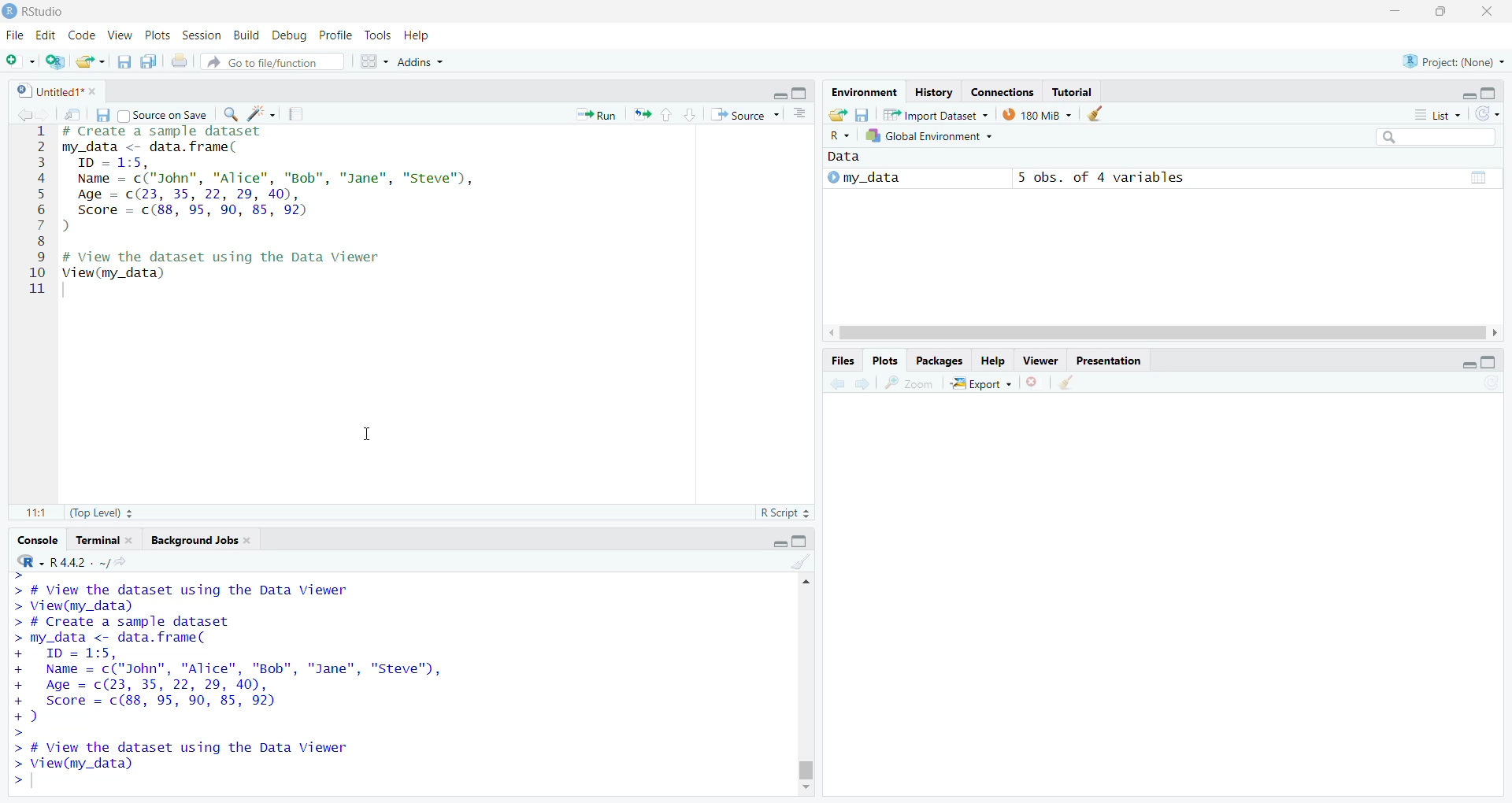 The height and width of the screenshot is (803, 1512). Describe the element at coordinates (776, 544) in the screenshot. I see `Minimize` at that location.